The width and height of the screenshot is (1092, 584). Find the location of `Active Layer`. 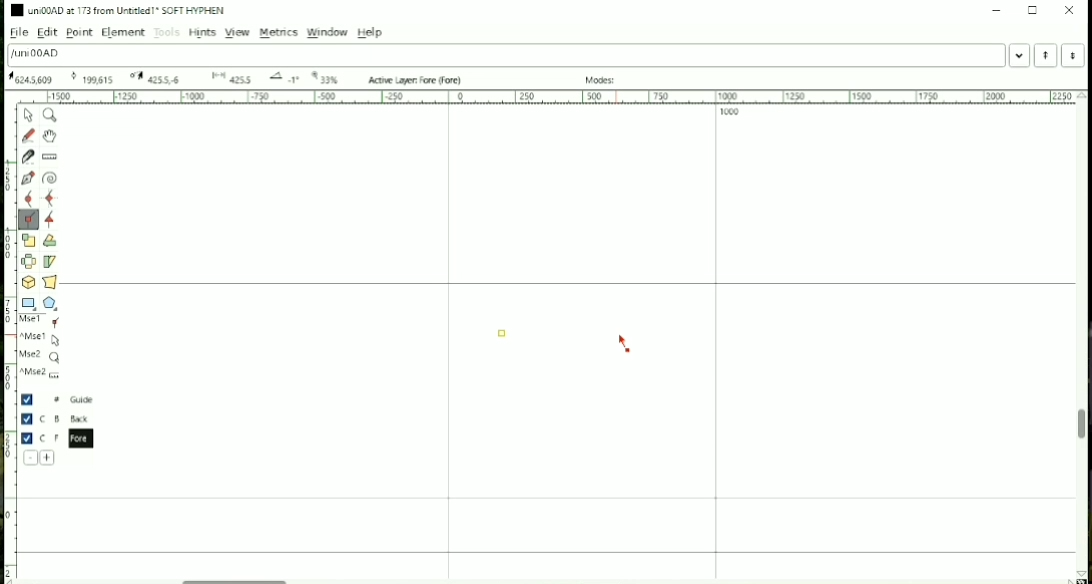

Active Layer is located at coordinates (417, 80).